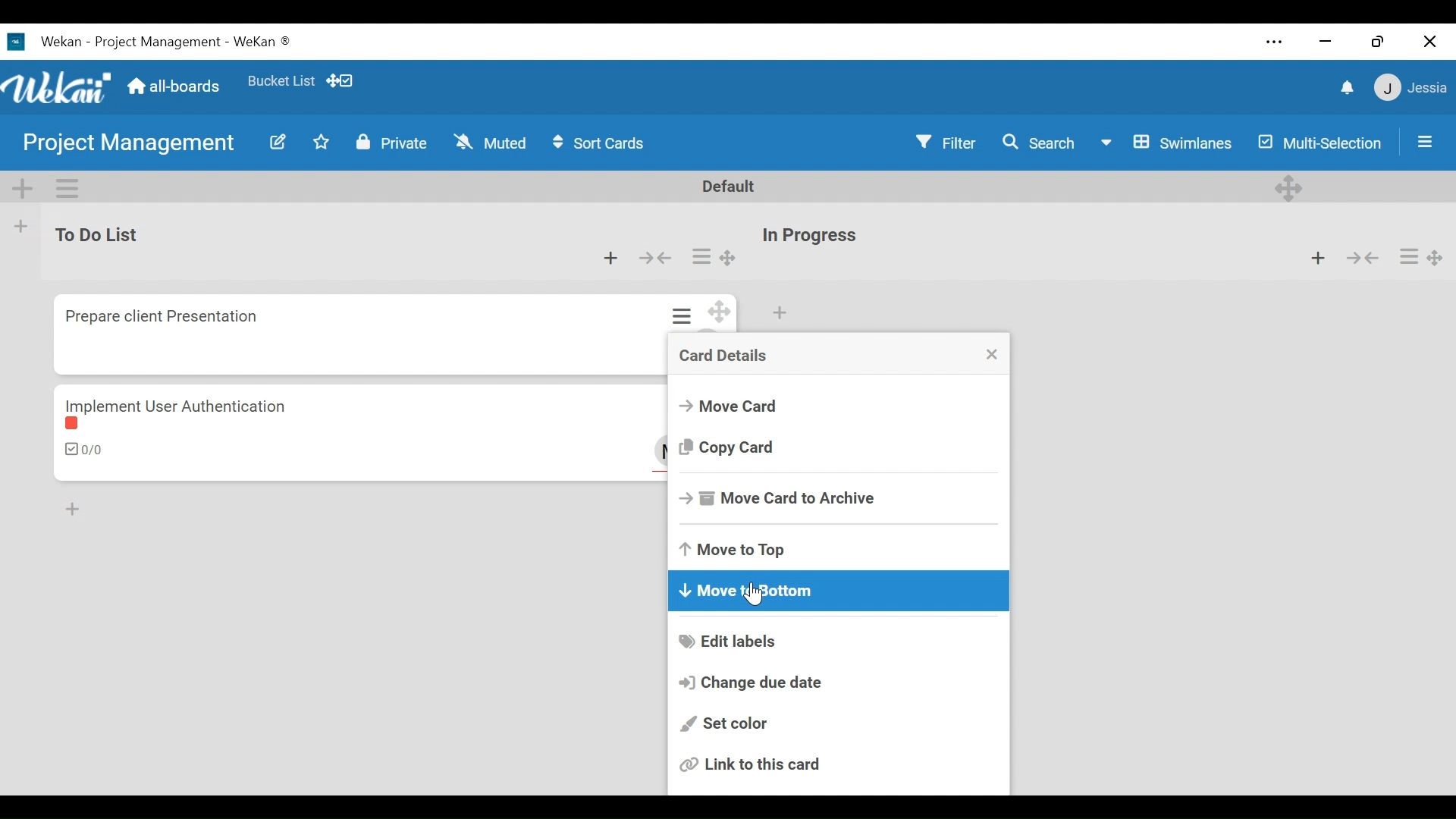 The width and height of the screenshot is (1456, 819). Describe the element at coordinates (726, 642) in the screenshot. I see `Edit labels` at that location.